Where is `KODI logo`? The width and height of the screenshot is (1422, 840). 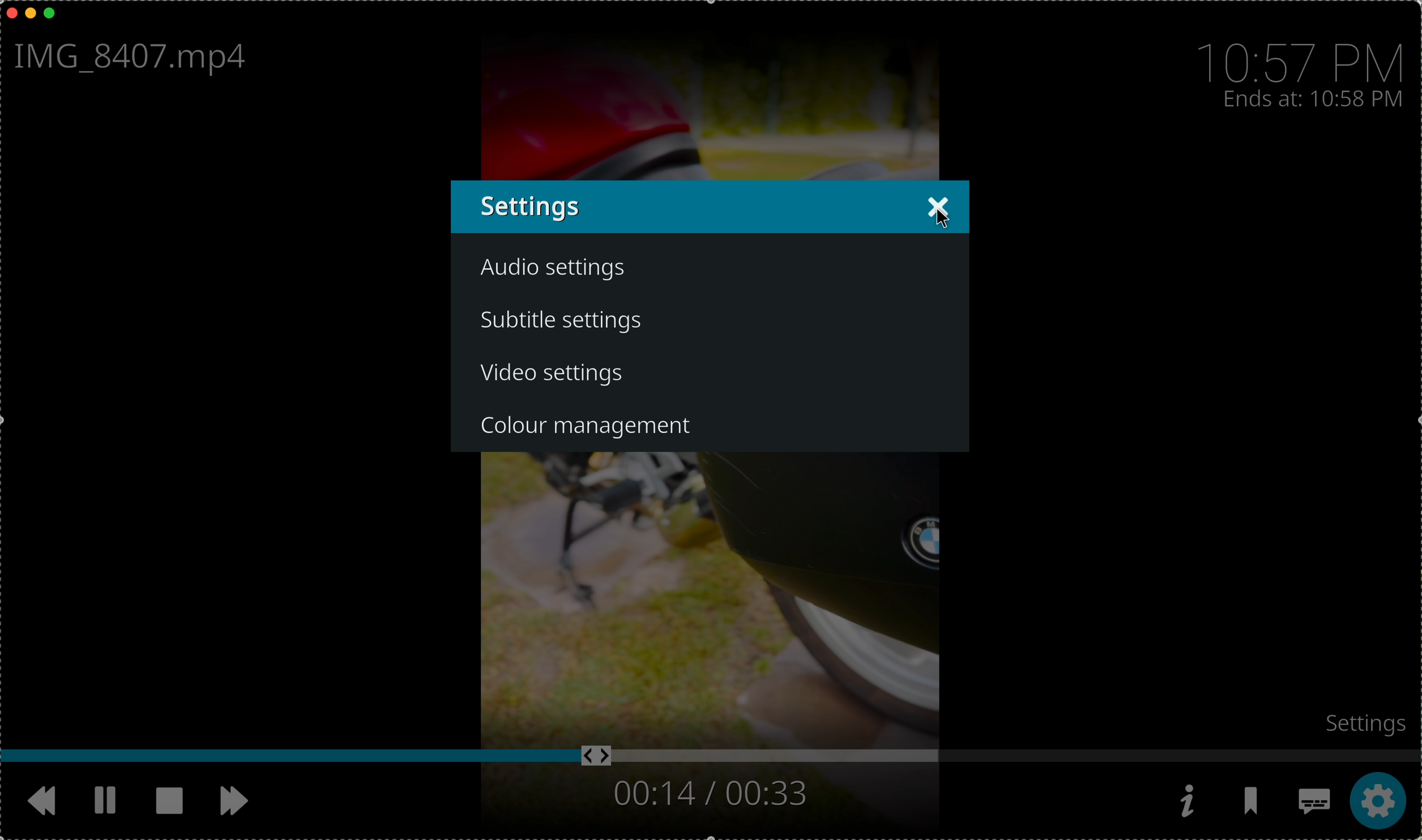
KODI logo is located at coordinates (937, 205).